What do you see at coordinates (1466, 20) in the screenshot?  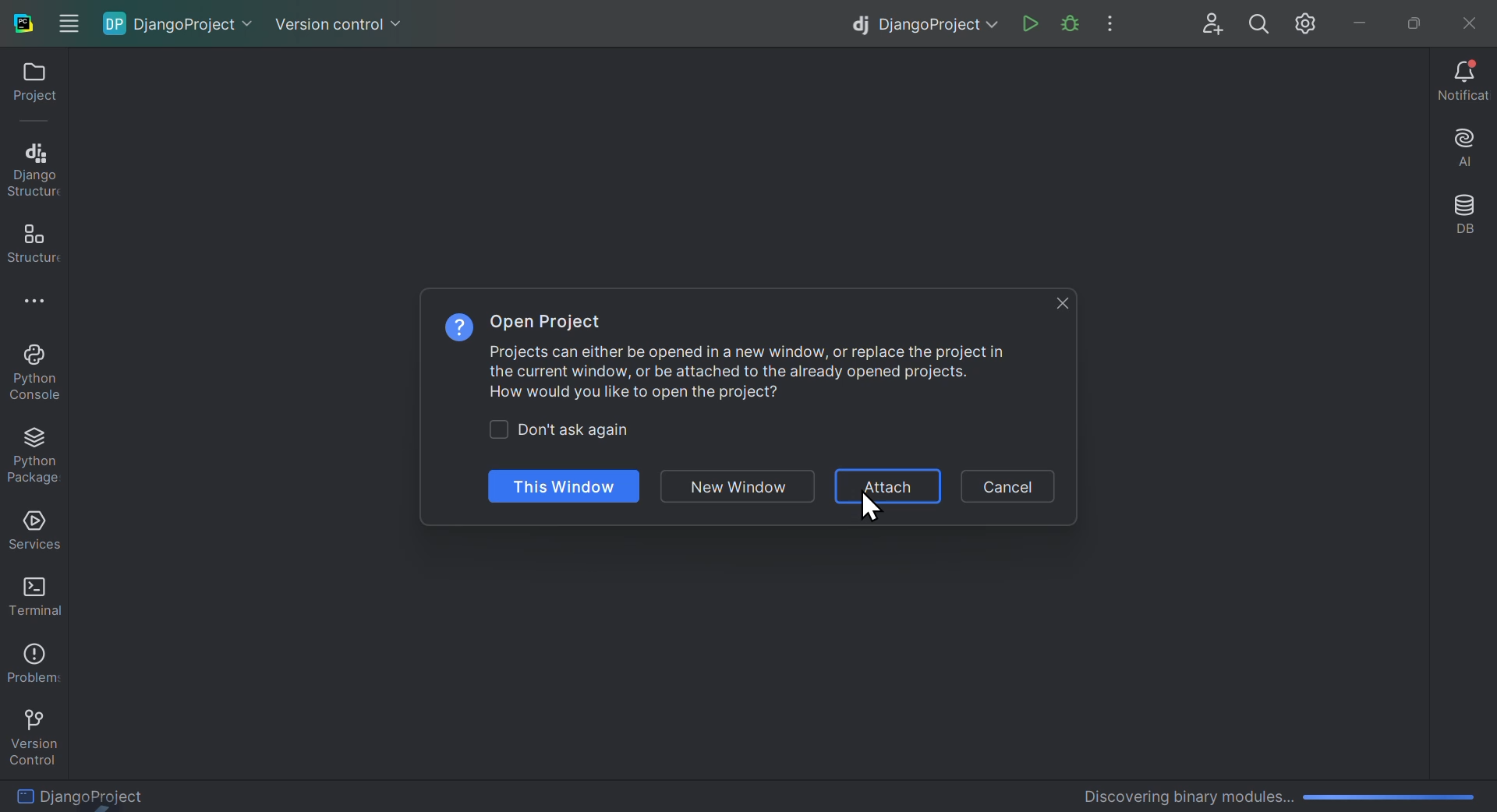 I see `Close` at bounding box center [1466, 20].